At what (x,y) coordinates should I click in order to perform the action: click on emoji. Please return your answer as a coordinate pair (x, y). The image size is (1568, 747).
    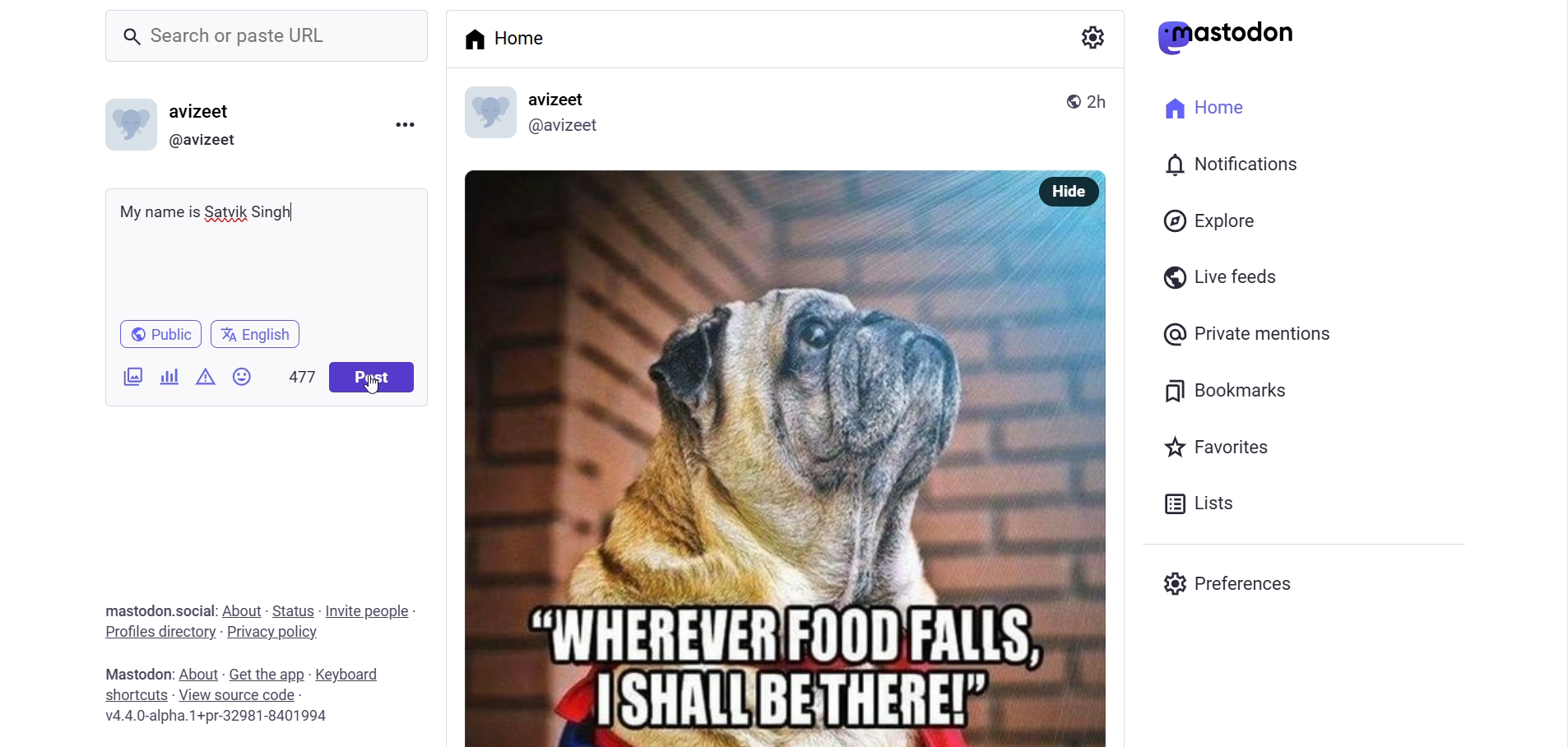
    Looking at the image, I should click on (242, 376).